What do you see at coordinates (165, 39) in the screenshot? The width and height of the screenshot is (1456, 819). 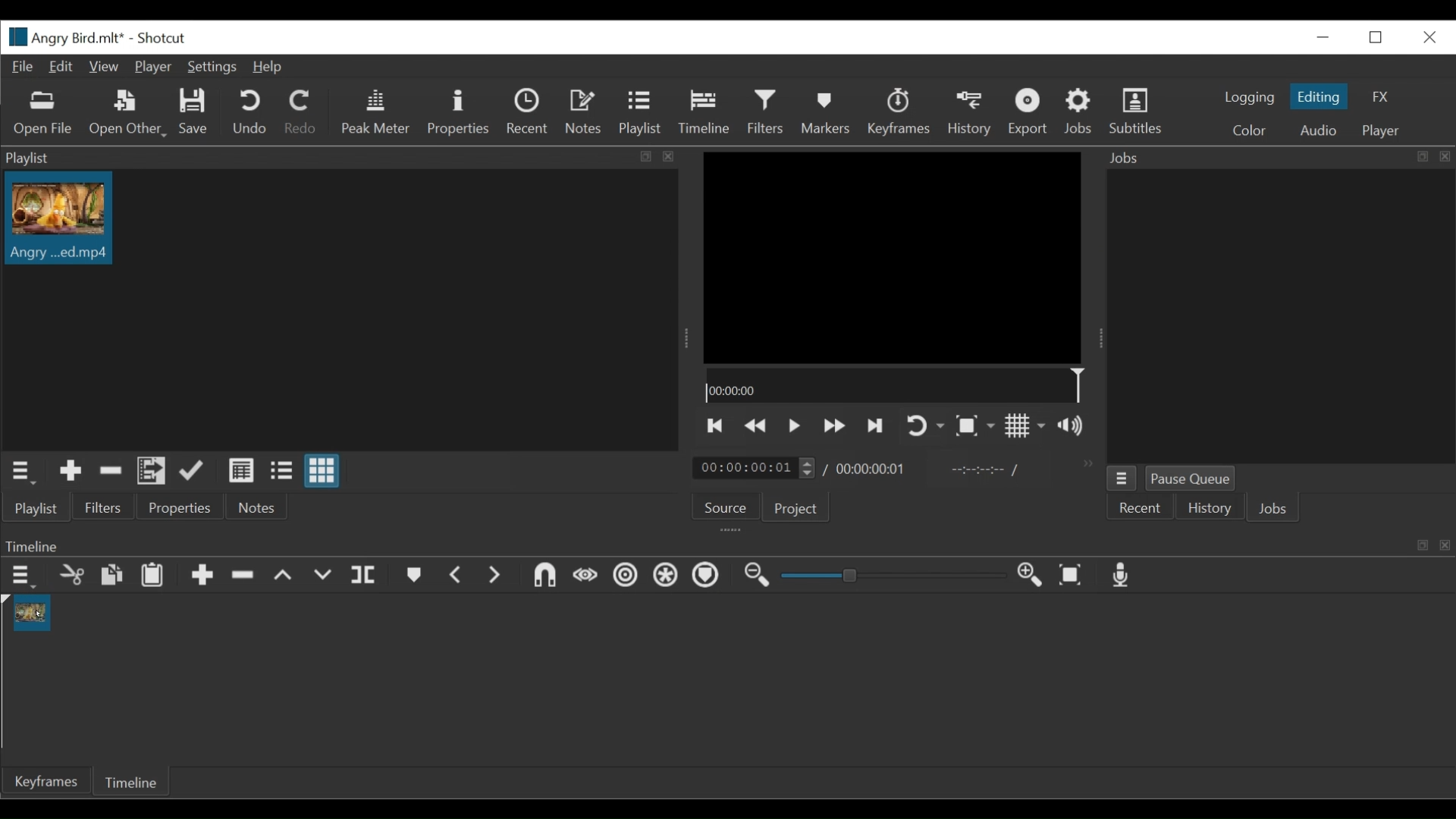 I see `Shotcut` at bounding box center [165, 39].